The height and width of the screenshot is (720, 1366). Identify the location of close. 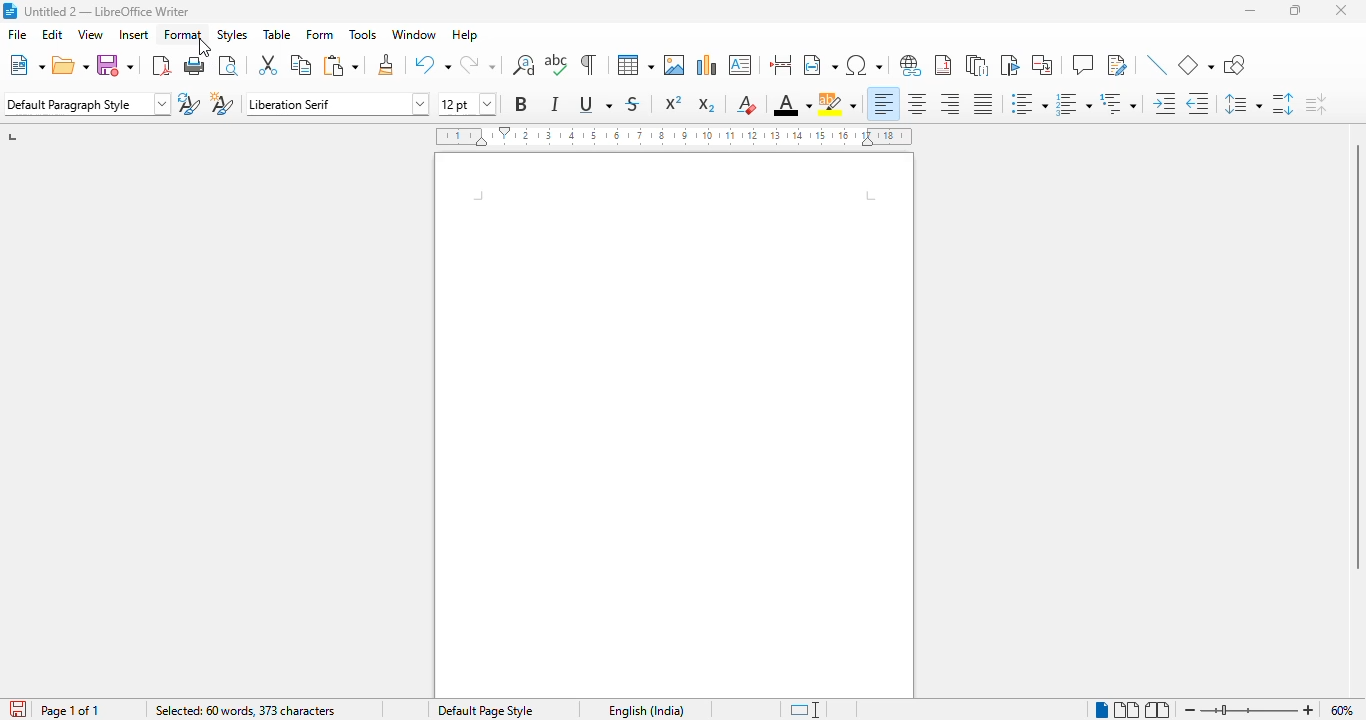
(1341, 10).